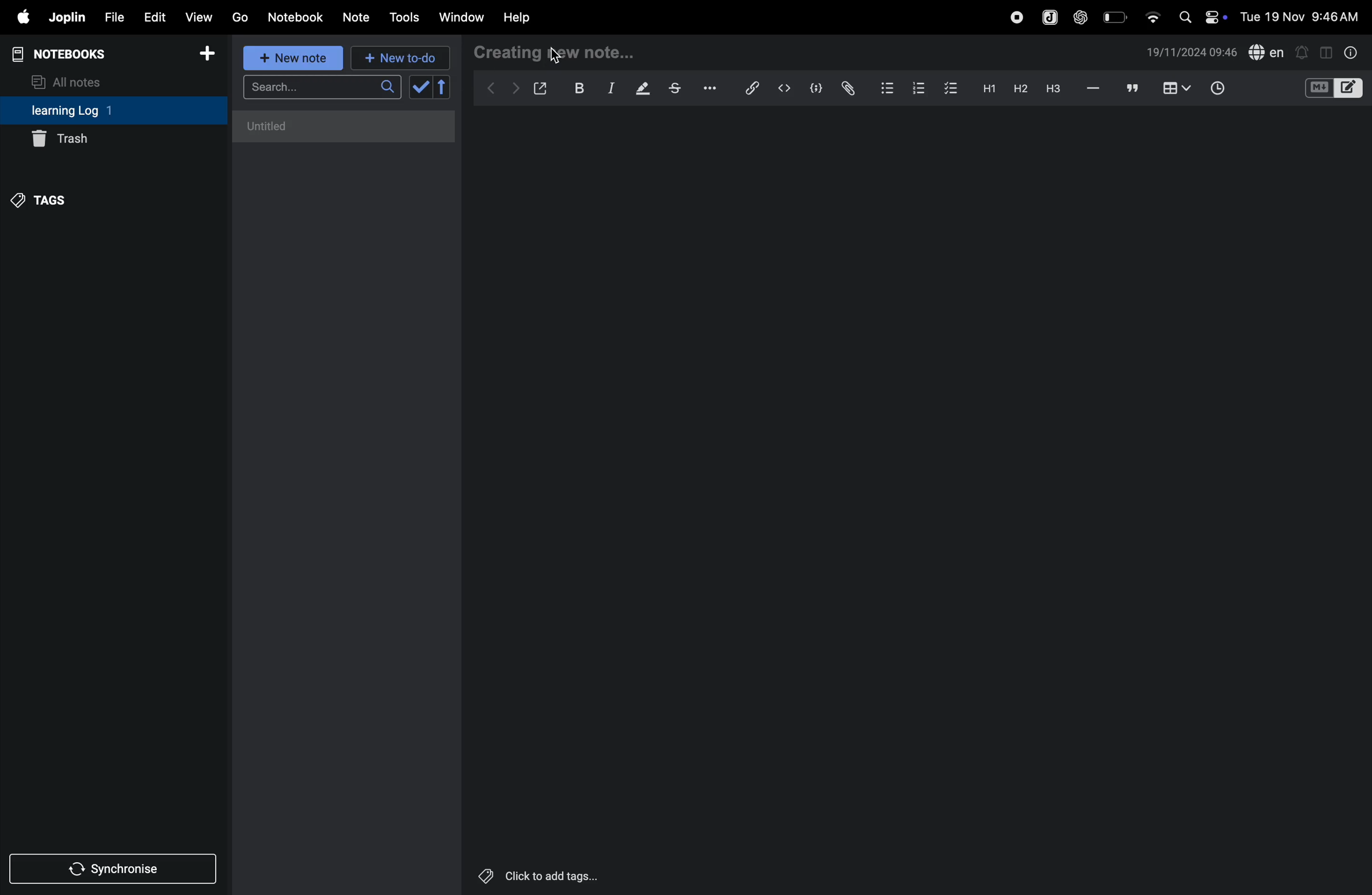  I want to click on date and time, so click(1192, 52).